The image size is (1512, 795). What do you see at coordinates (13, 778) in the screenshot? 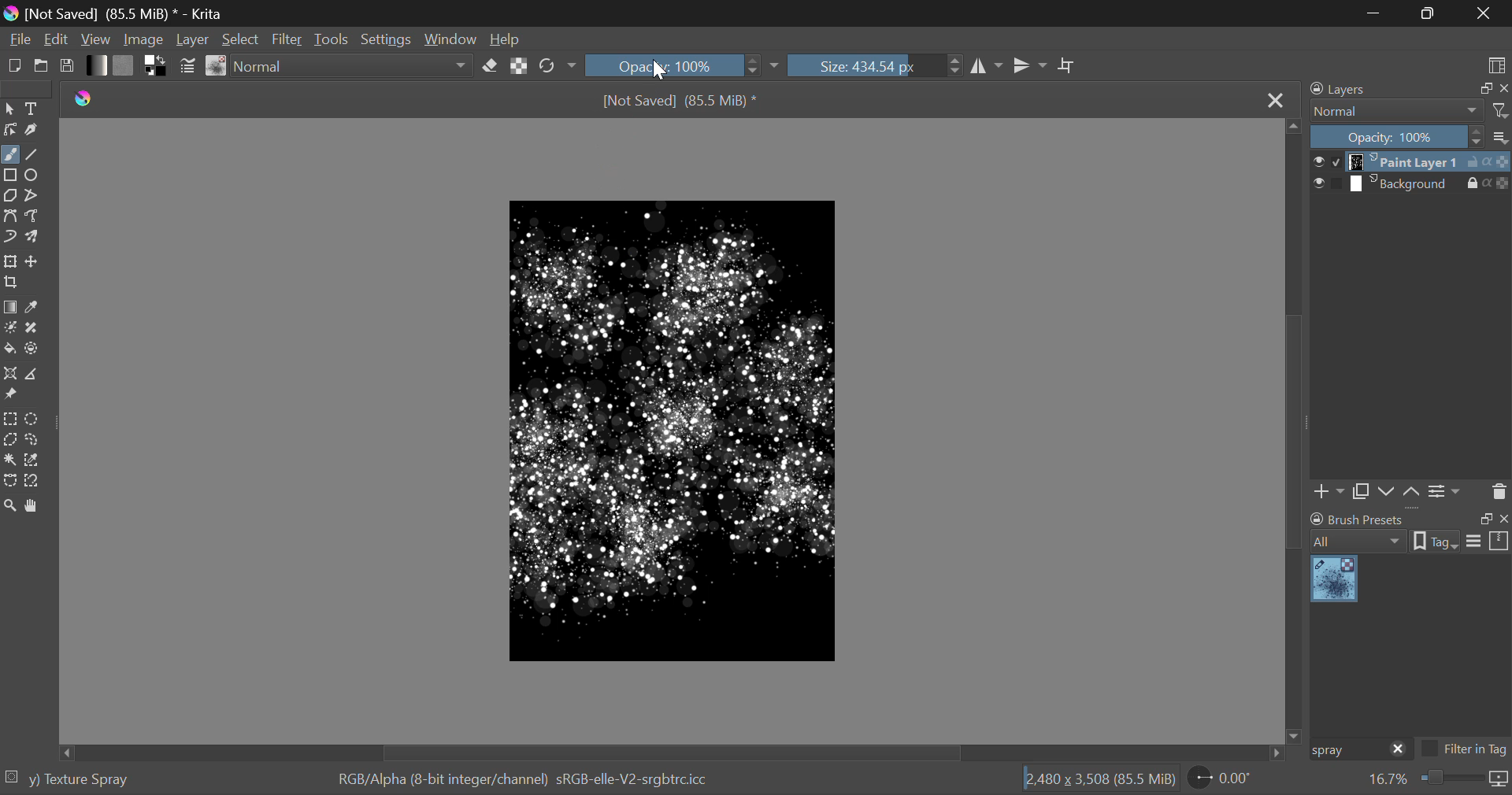
I see `selection` at bounding box center [13, 778].